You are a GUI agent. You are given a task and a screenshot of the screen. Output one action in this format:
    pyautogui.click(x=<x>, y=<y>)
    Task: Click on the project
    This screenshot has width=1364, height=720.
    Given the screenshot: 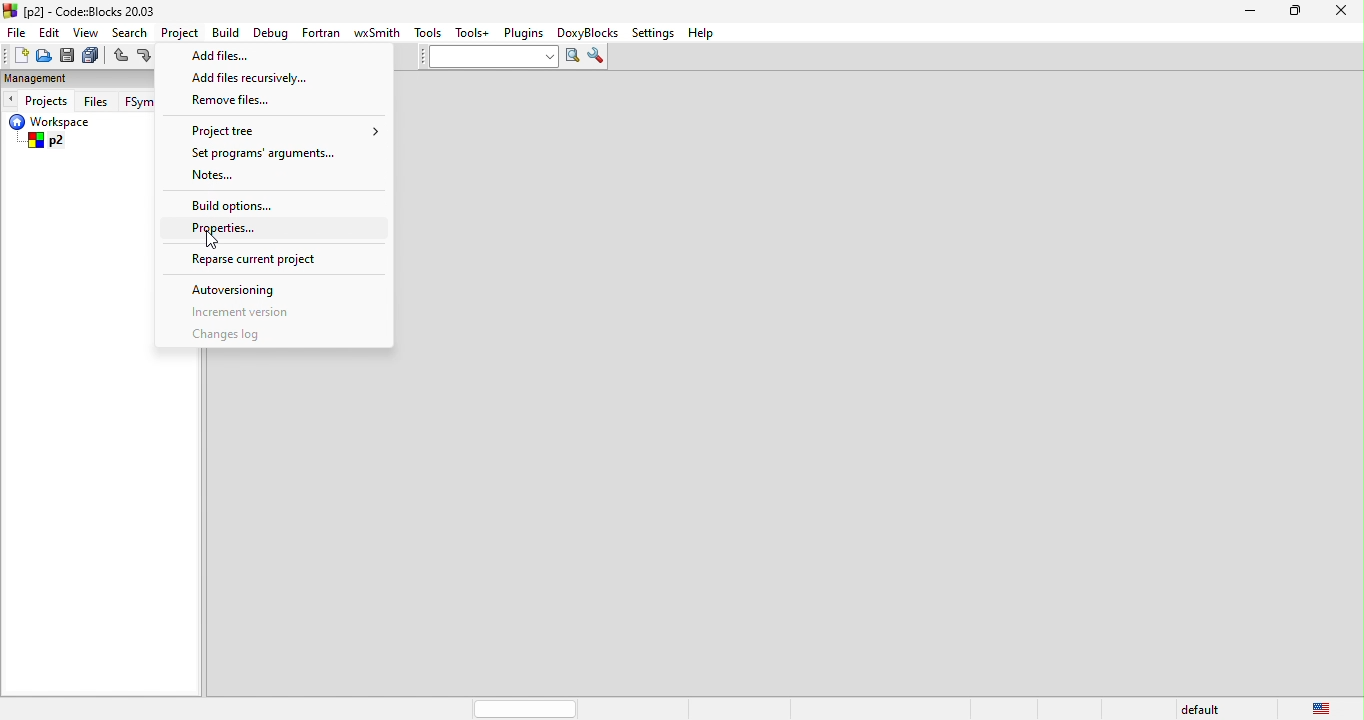 What is the action you would take?
    pyautogui.click(x=182, y=33)
    